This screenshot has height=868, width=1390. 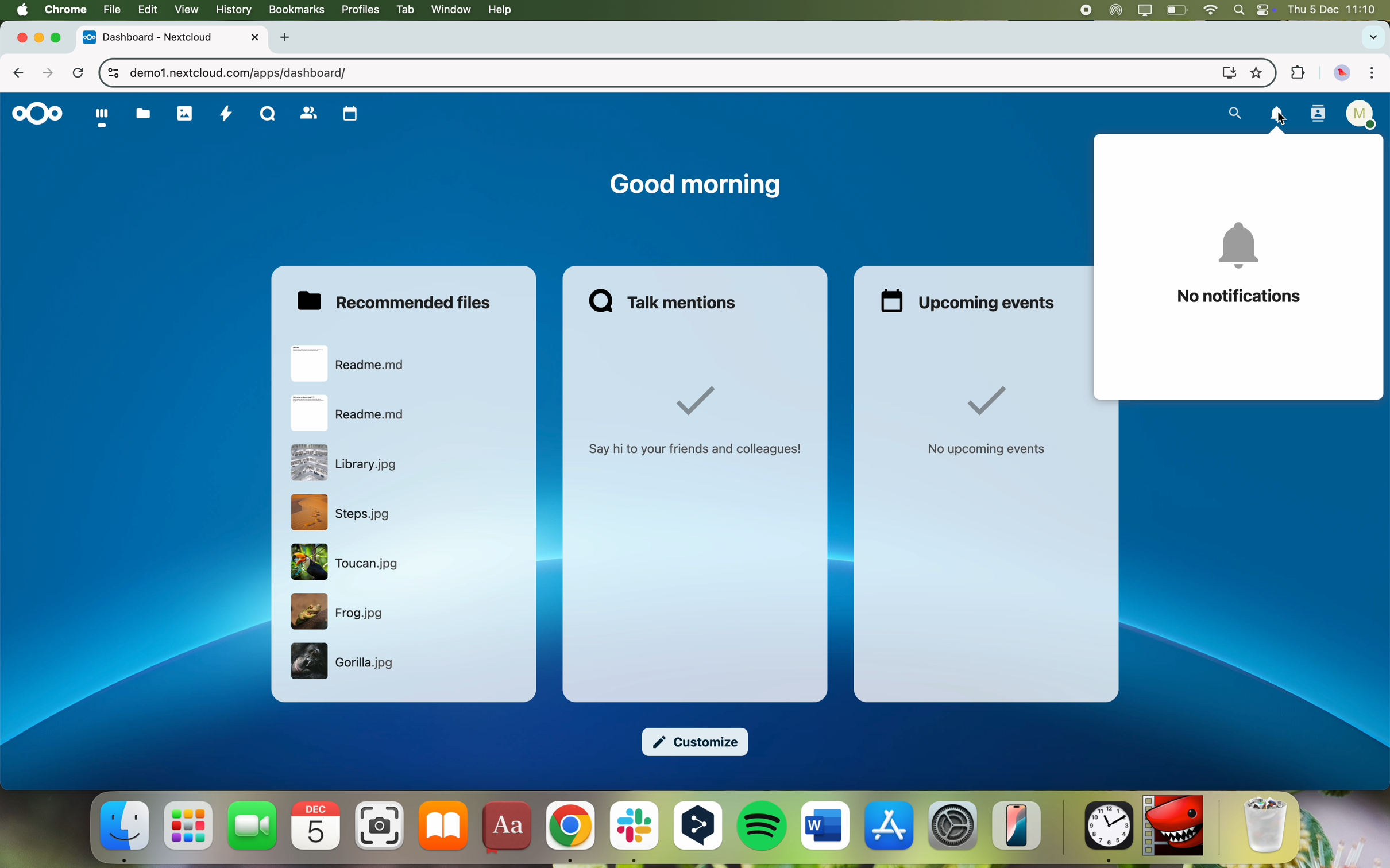 I want to click on calendars, so click(x=350, y=114).